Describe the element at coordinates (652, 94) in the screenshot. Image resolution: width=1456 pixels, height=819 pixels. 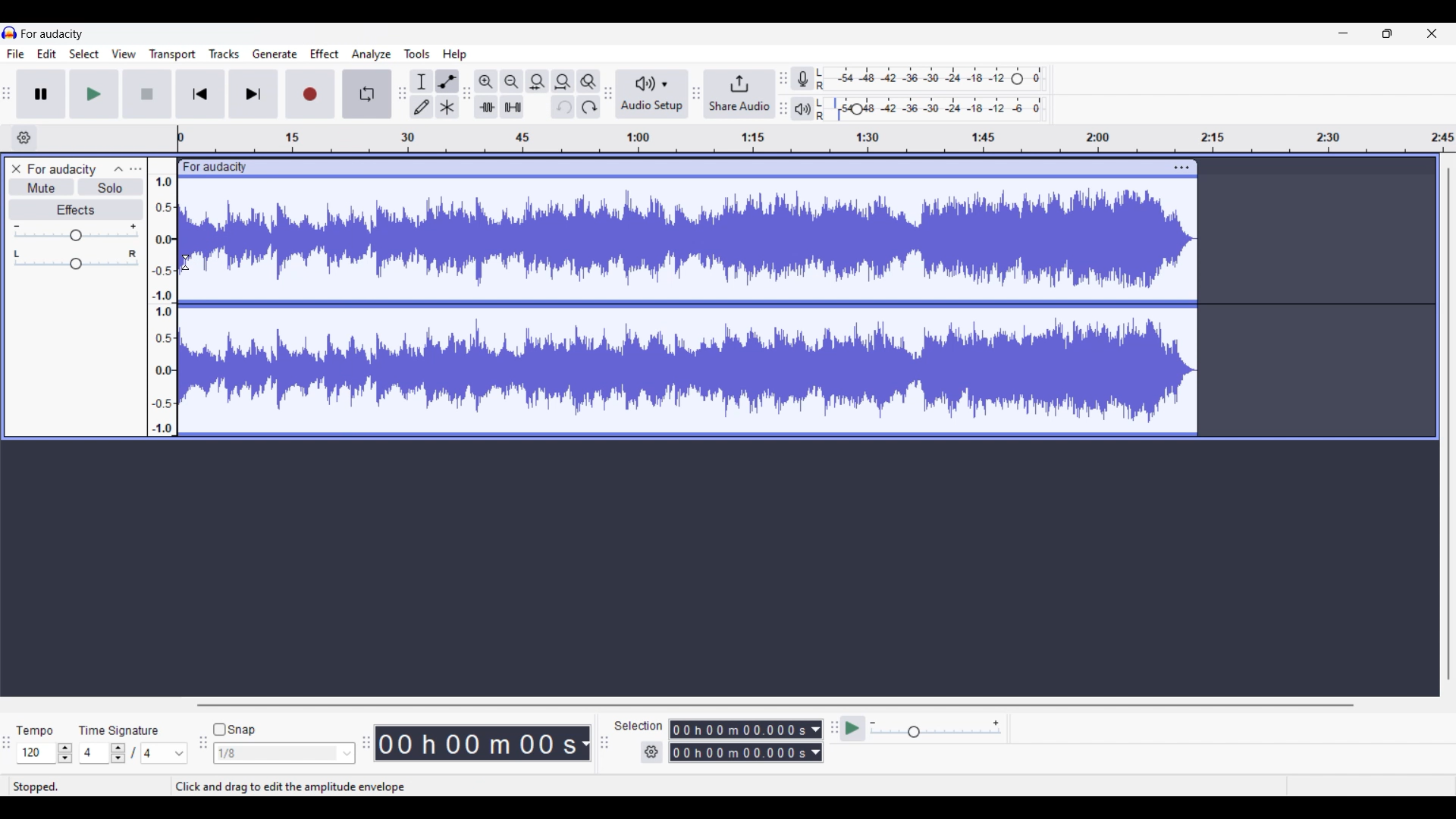
I see `Audio setup` at that location.